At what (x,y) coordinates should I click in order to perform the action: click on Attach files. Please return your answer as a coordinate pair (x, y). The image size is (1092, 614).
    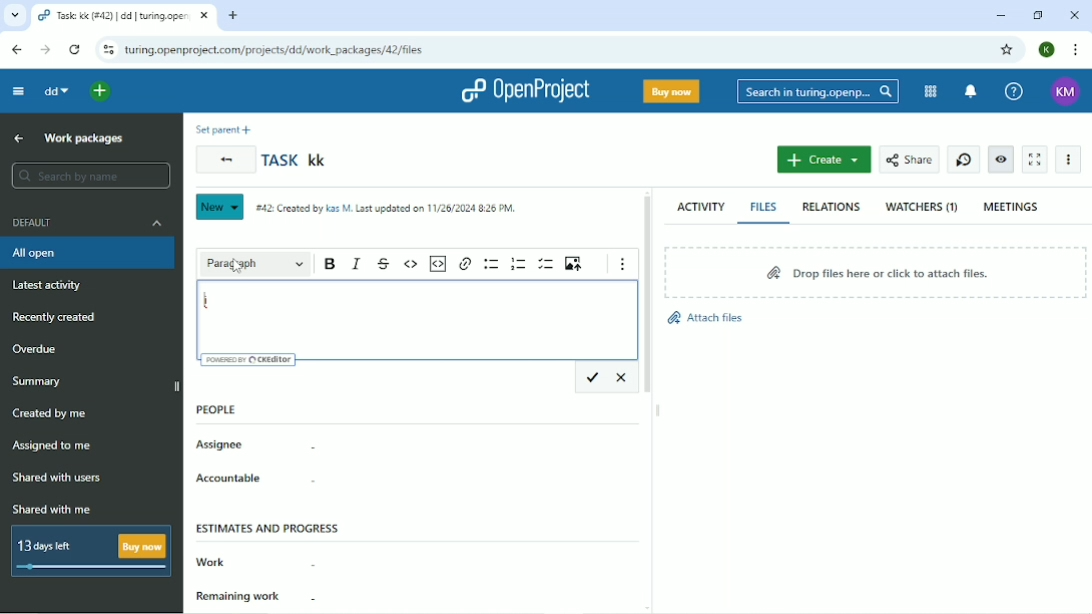
    Looking at the image, I should click on (709, 319).